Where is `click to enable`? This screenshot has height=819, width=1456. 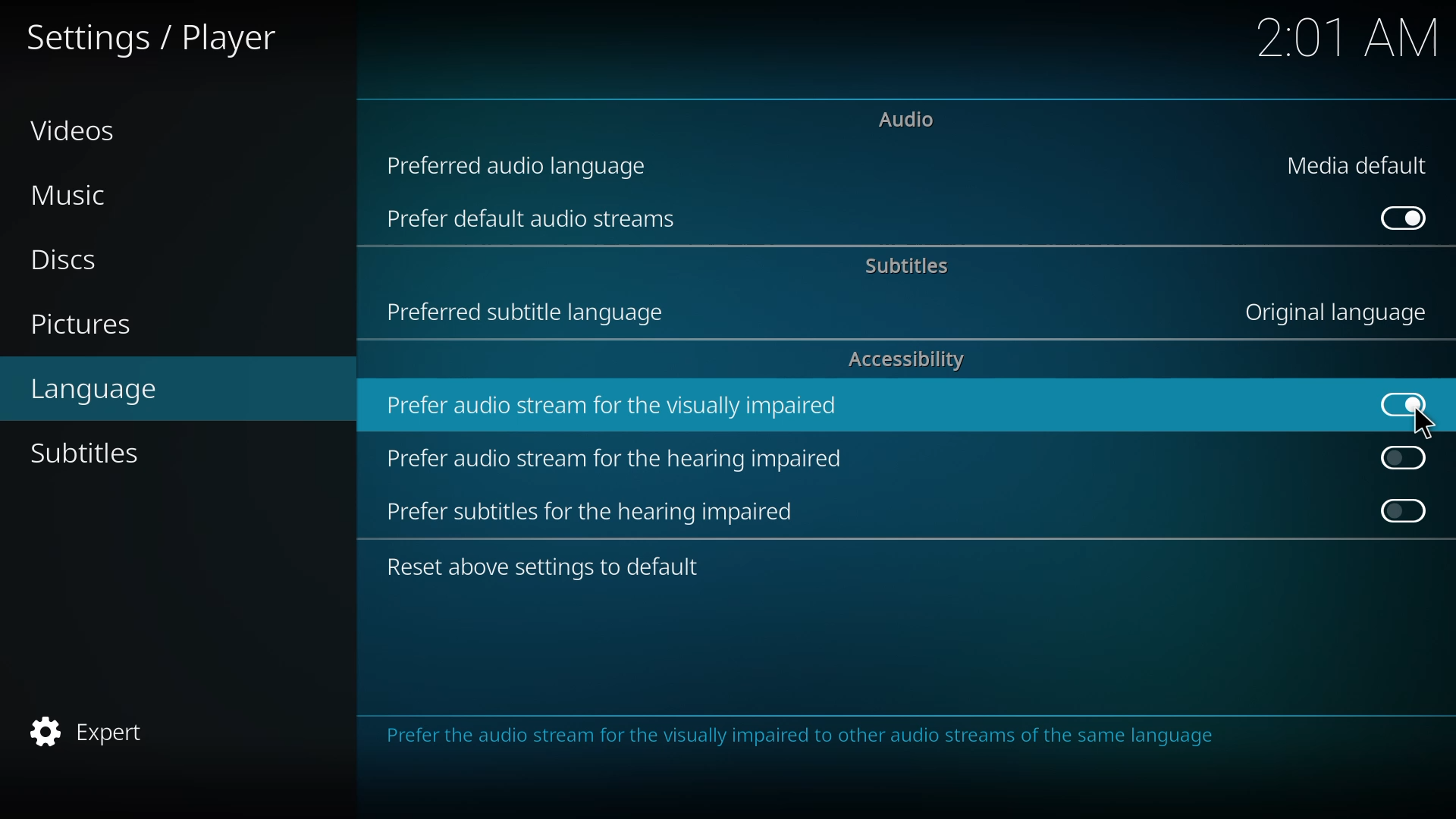
click to enable is located at coordinates (1398, 457).